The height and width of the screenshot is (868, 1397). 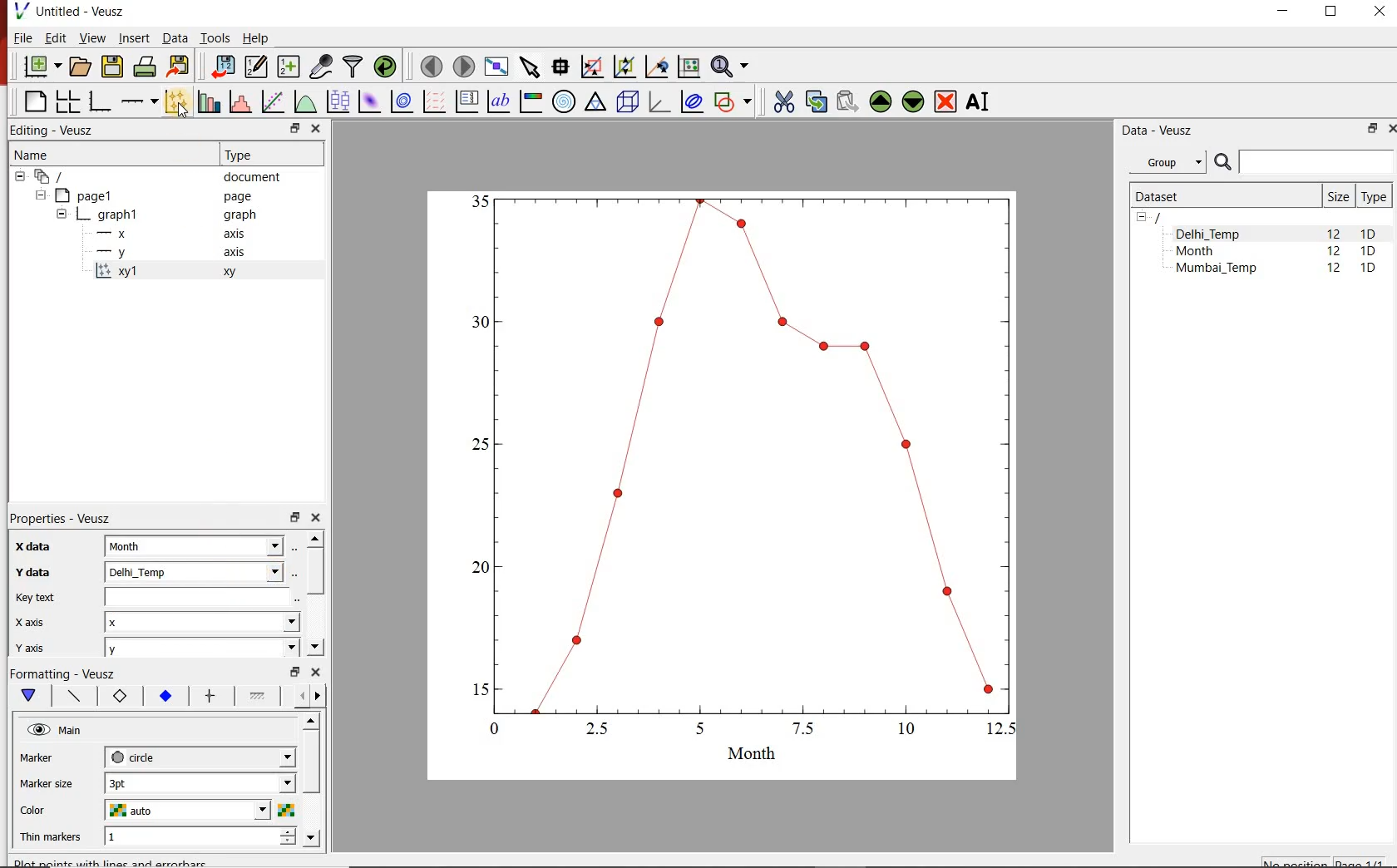 What do you see at coordinates (626, 102) in the screenshot?
I see `3d scene` at bounding box center [626, 102].